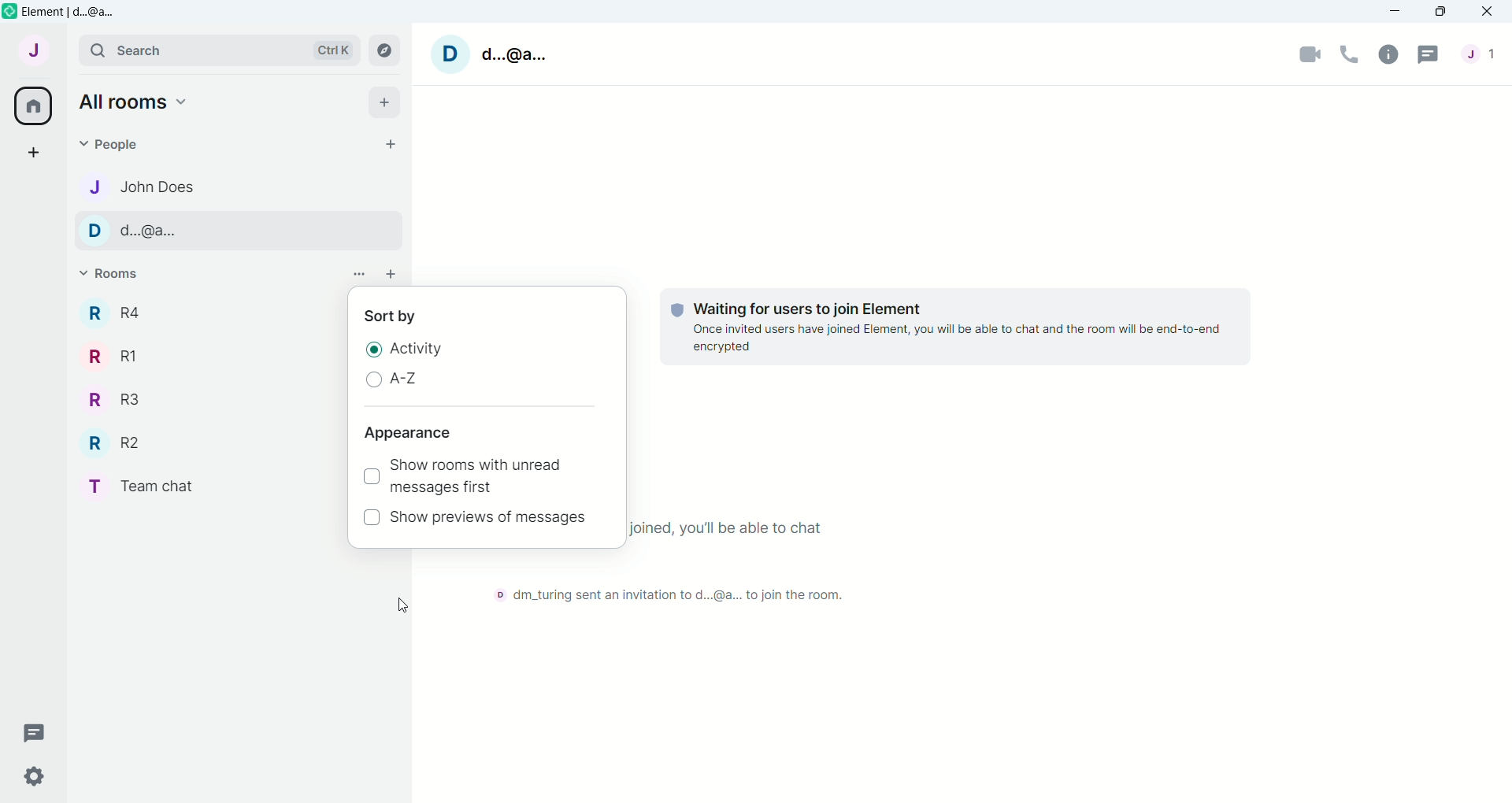 The height and width of the screenshot is (803, 1512). What do you see at coordinates (490, 519) in the screenshot?
I see `Show previews of messages` at bounding box center [490, 519].